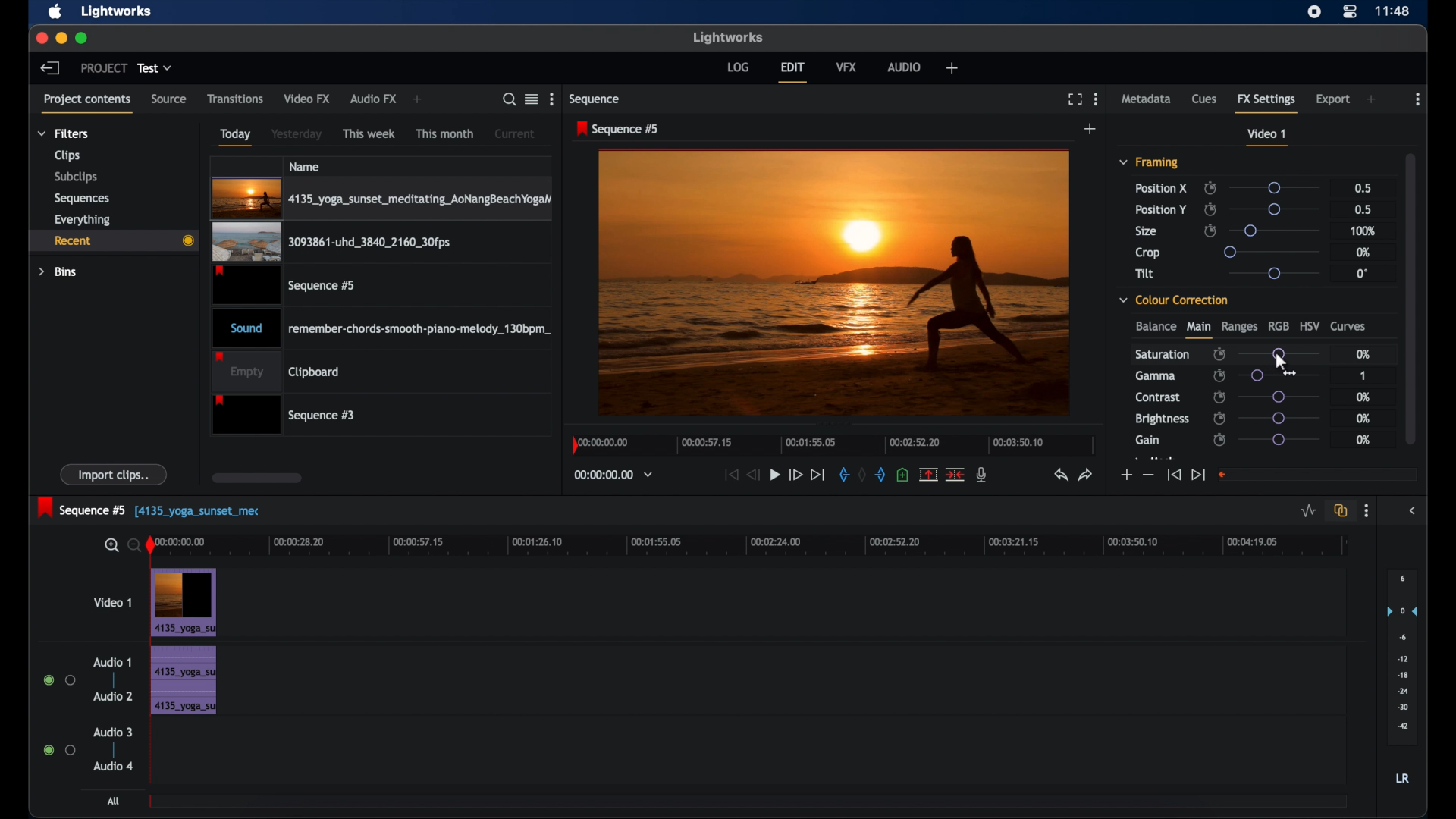  What do you see at coordinates (38, 38) in the screenshot?
I see `close` at bounding box center [38, 38].